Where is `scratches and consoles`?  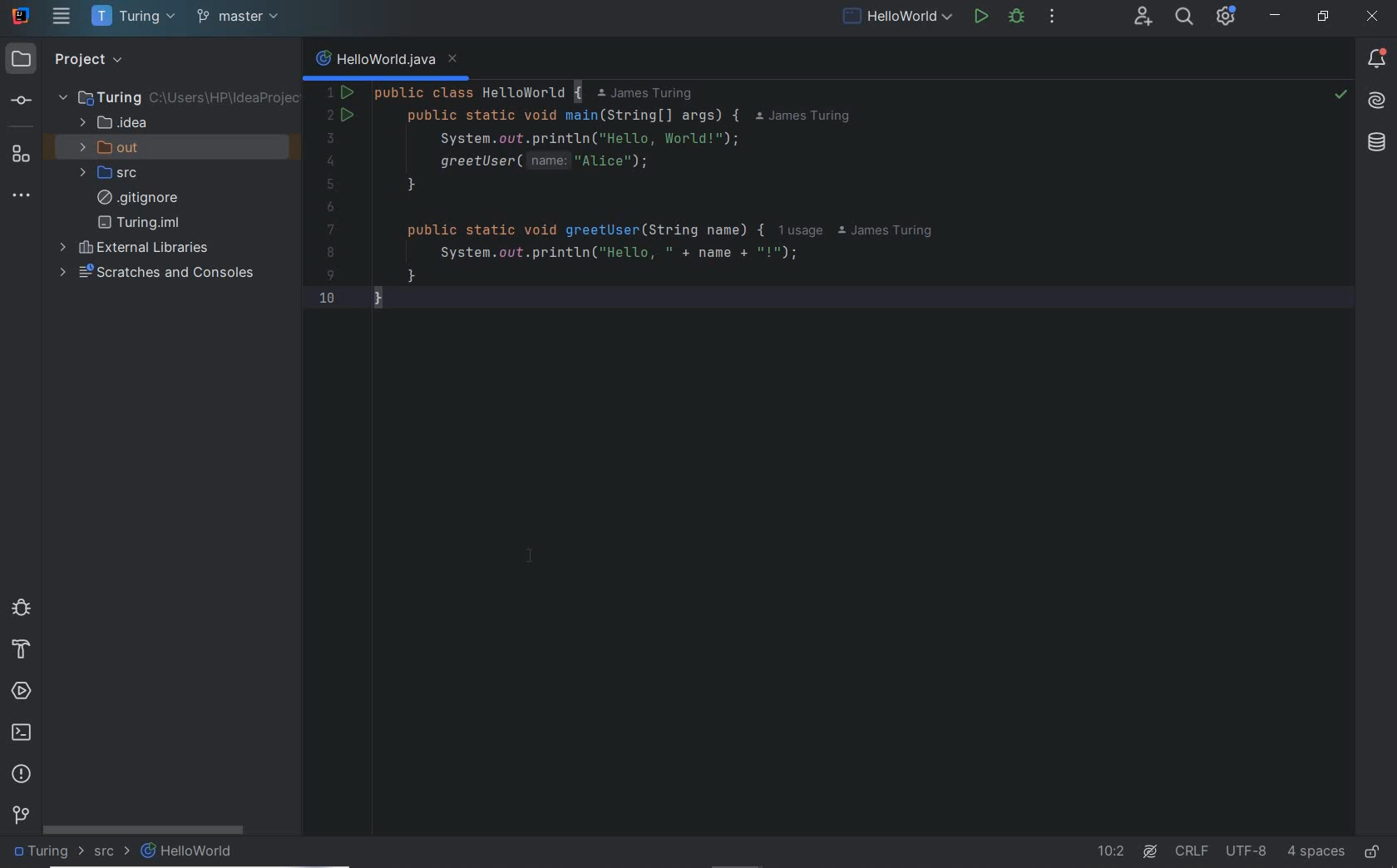
scratches and consoles is located at coordinates (160, 272).